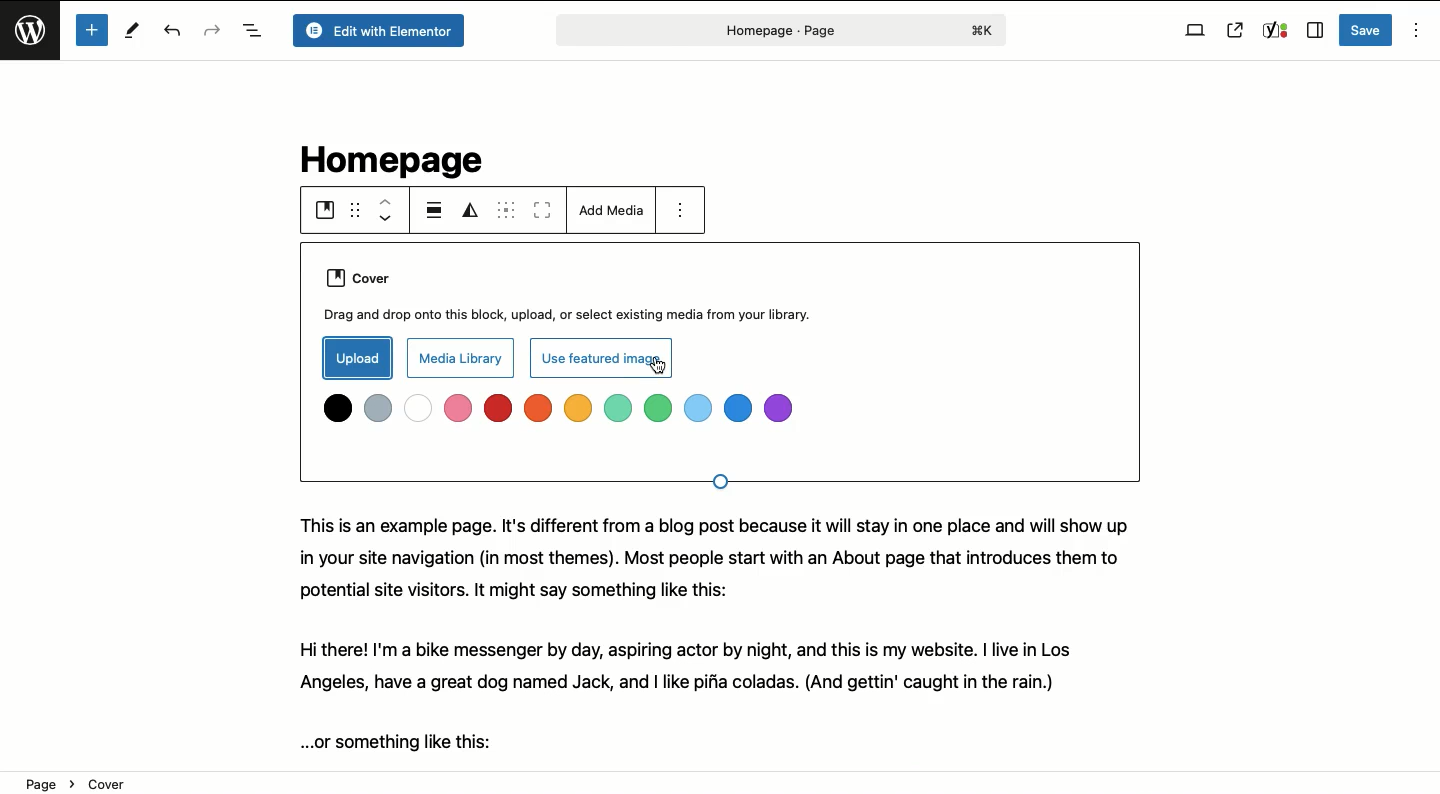  I want to click on Drag and drop, so click(561, 314).